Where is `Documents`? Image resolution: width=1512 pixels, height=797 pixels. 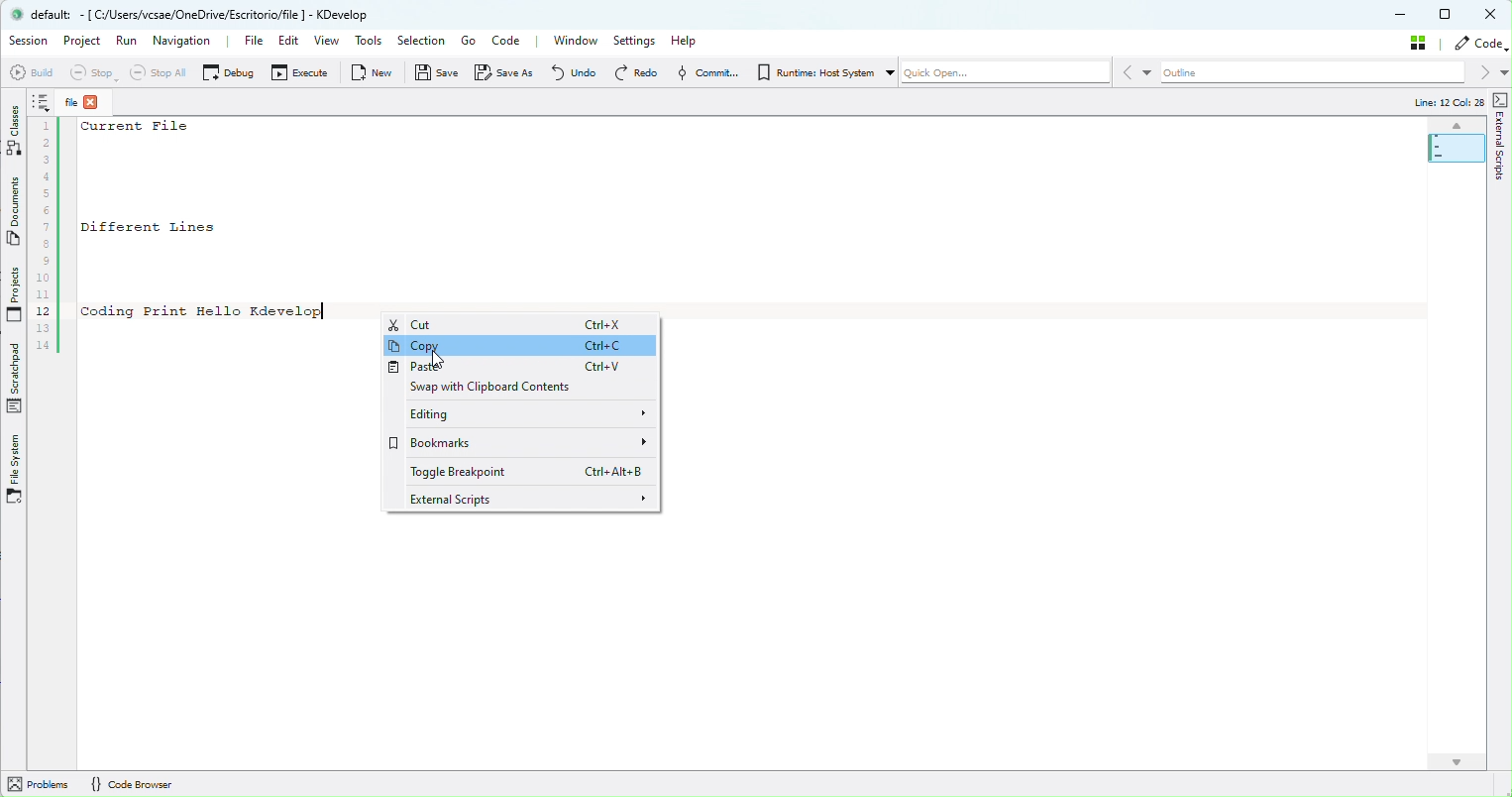 Documents is located at coordinates (15, 210).